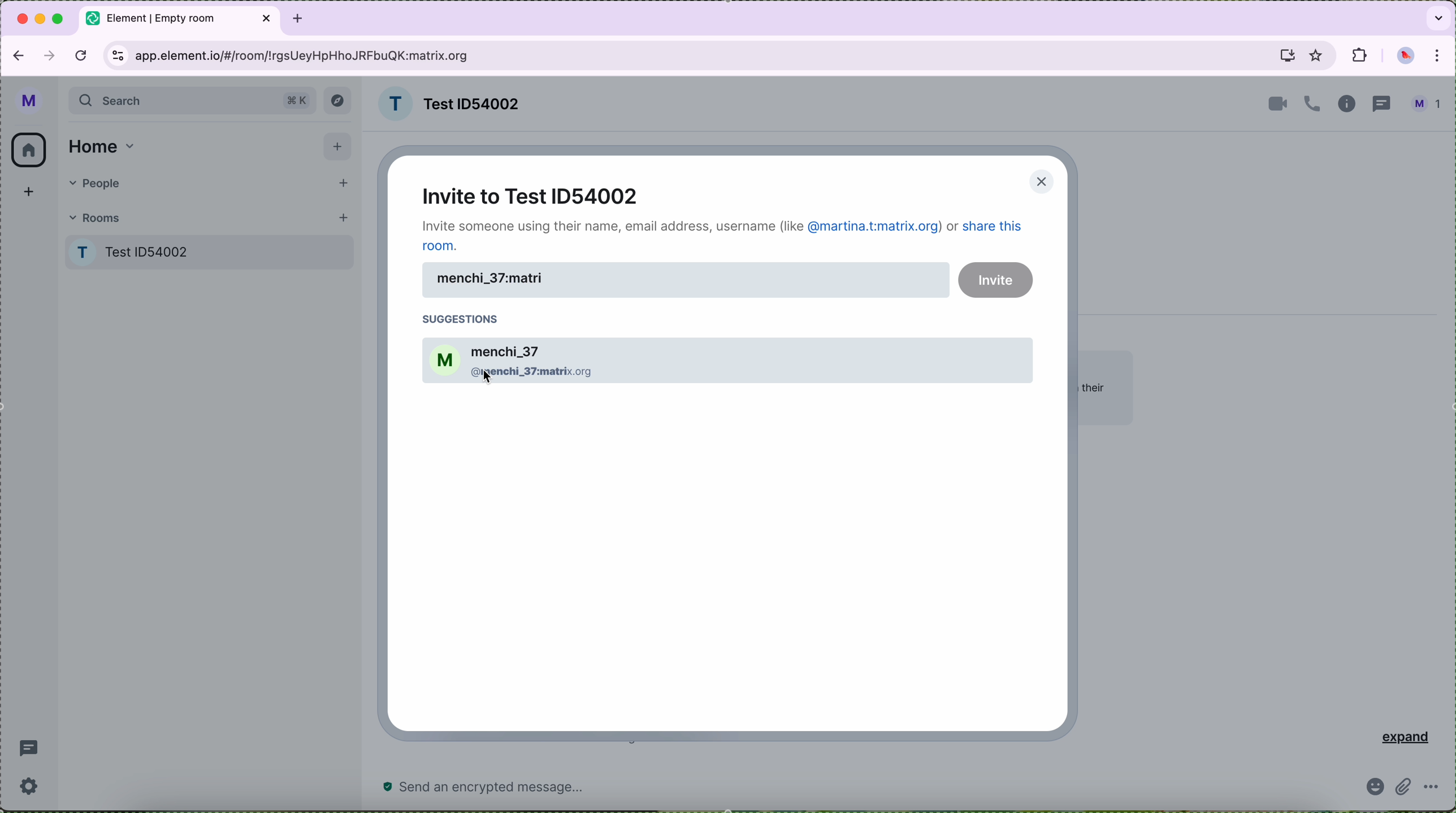  I want to click on note, so click(725, 234).